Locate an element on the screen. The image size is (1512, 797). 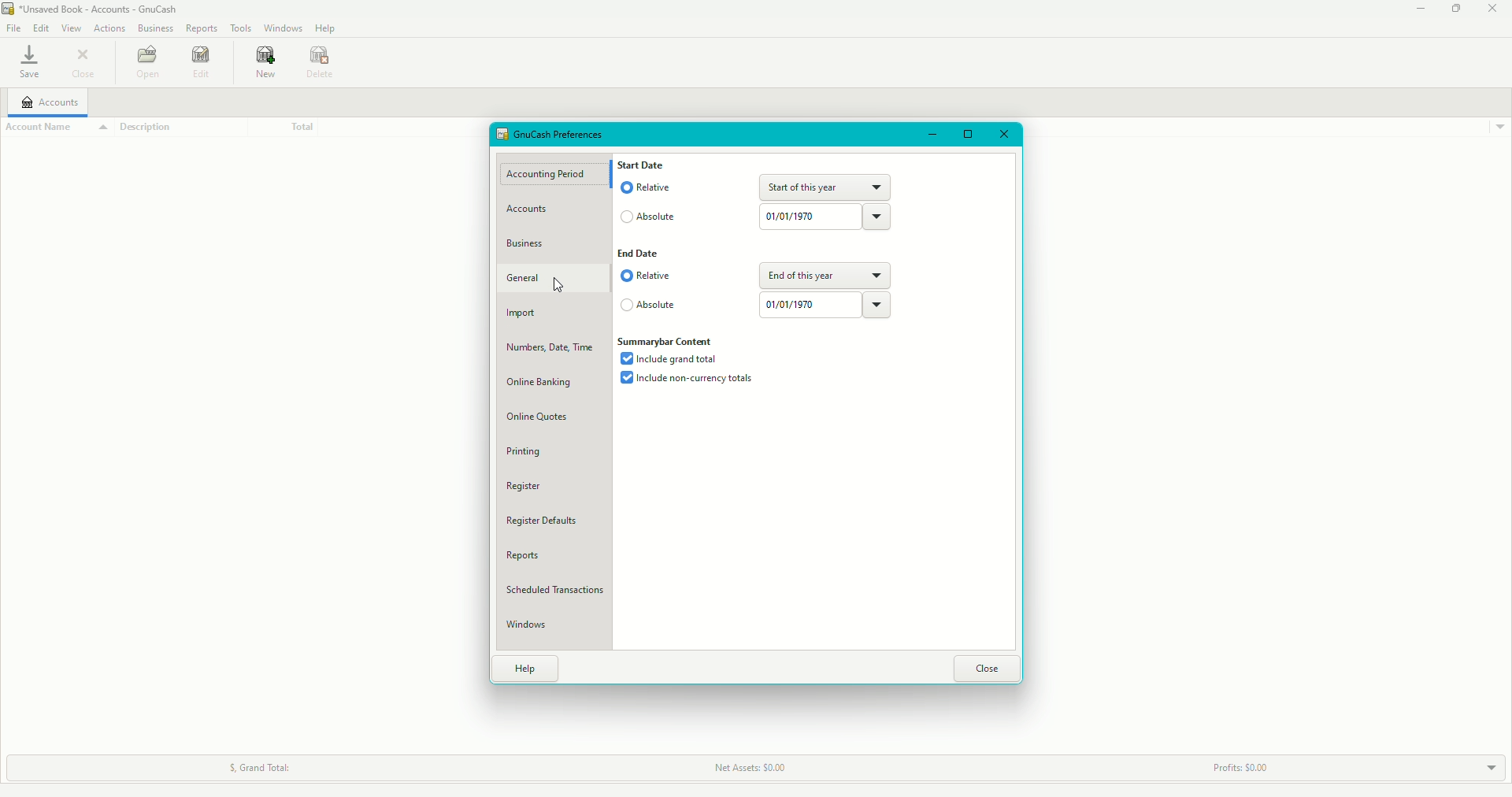
End Date is located at coordinates (636, 252).